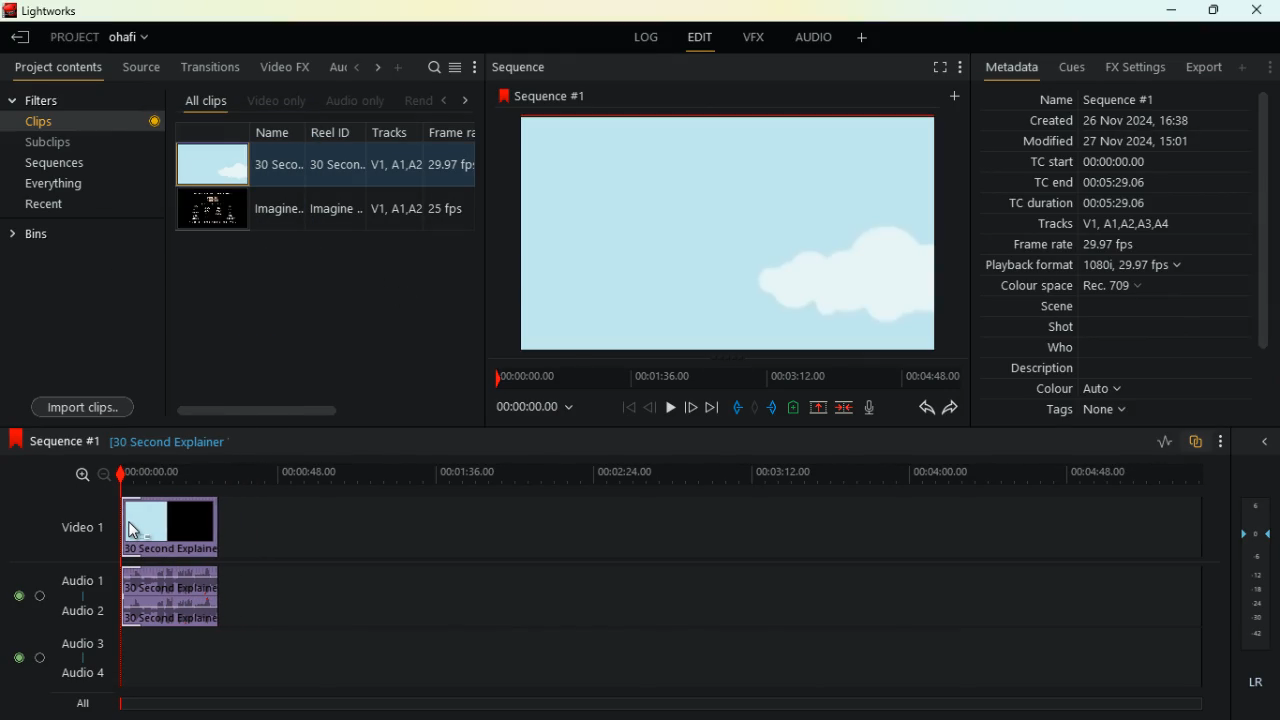 The width and height of the screenshot is (1280, 720). I want to click on up, so click(815, 408).